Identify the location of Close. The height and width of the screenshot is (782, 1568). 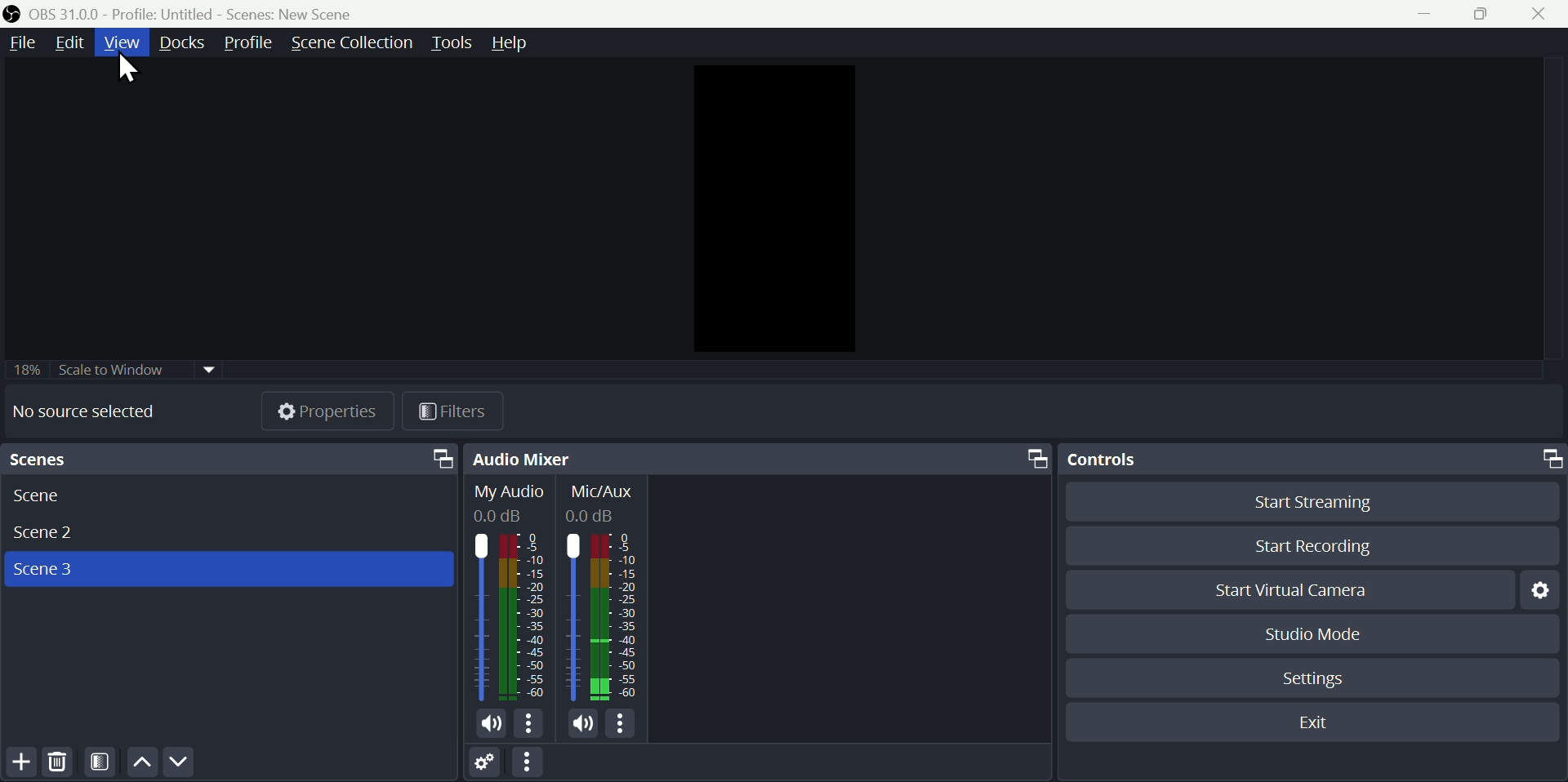
(1543, 15).